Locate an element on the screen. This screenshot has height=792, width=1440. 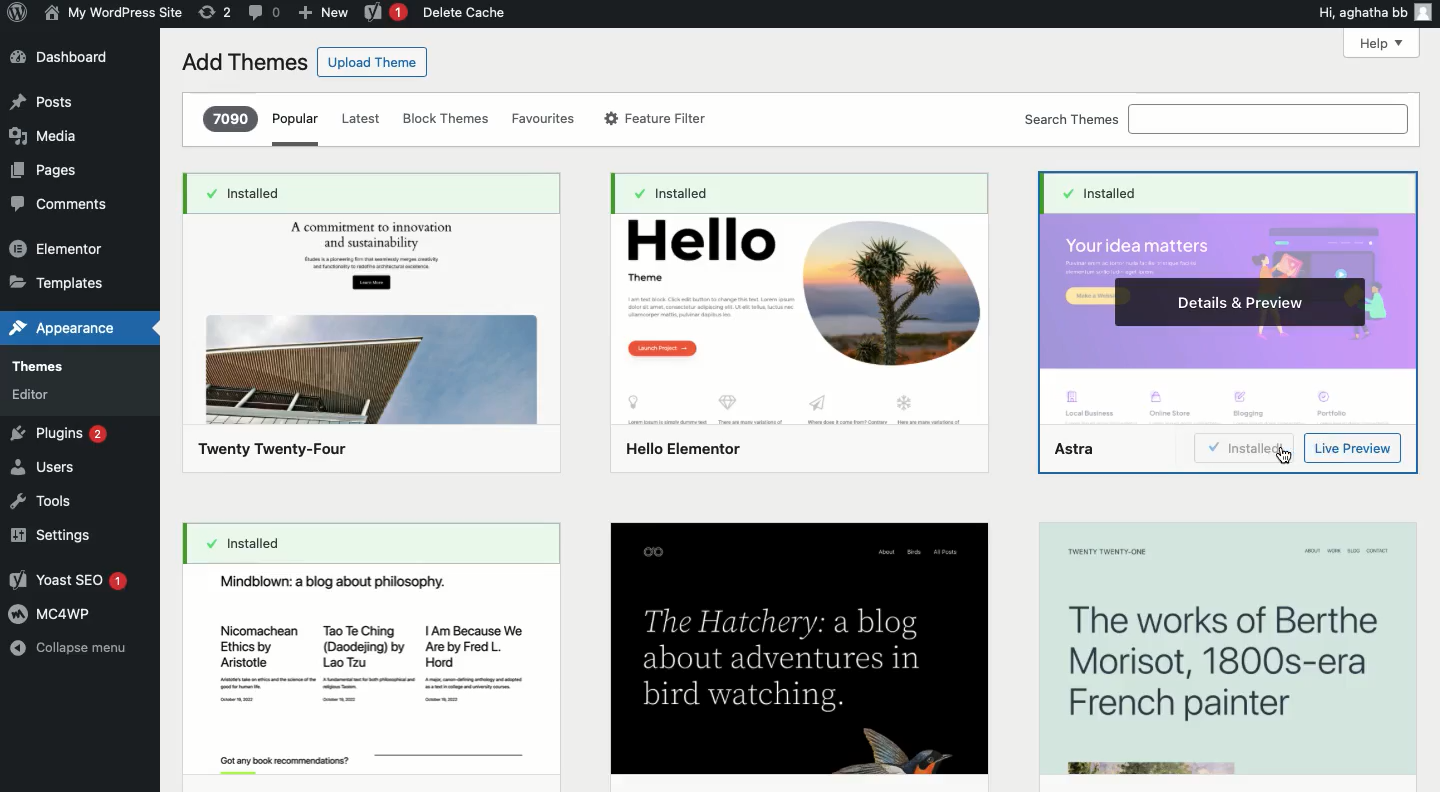
Preview is located at coordinates (1349, 447).